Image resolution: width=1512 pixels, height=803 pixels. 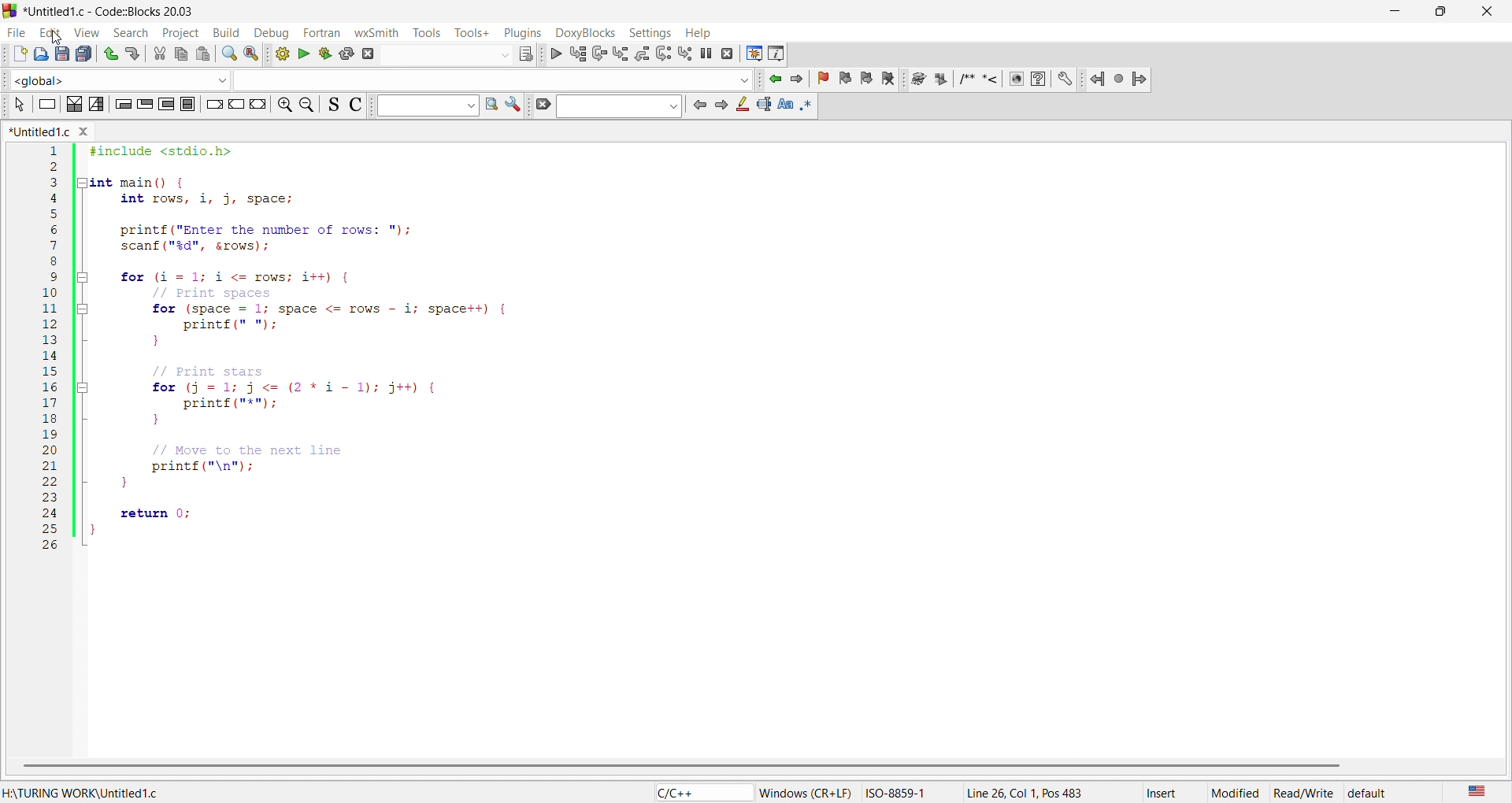 I want to click on title bar, so click(x=685, y=9).